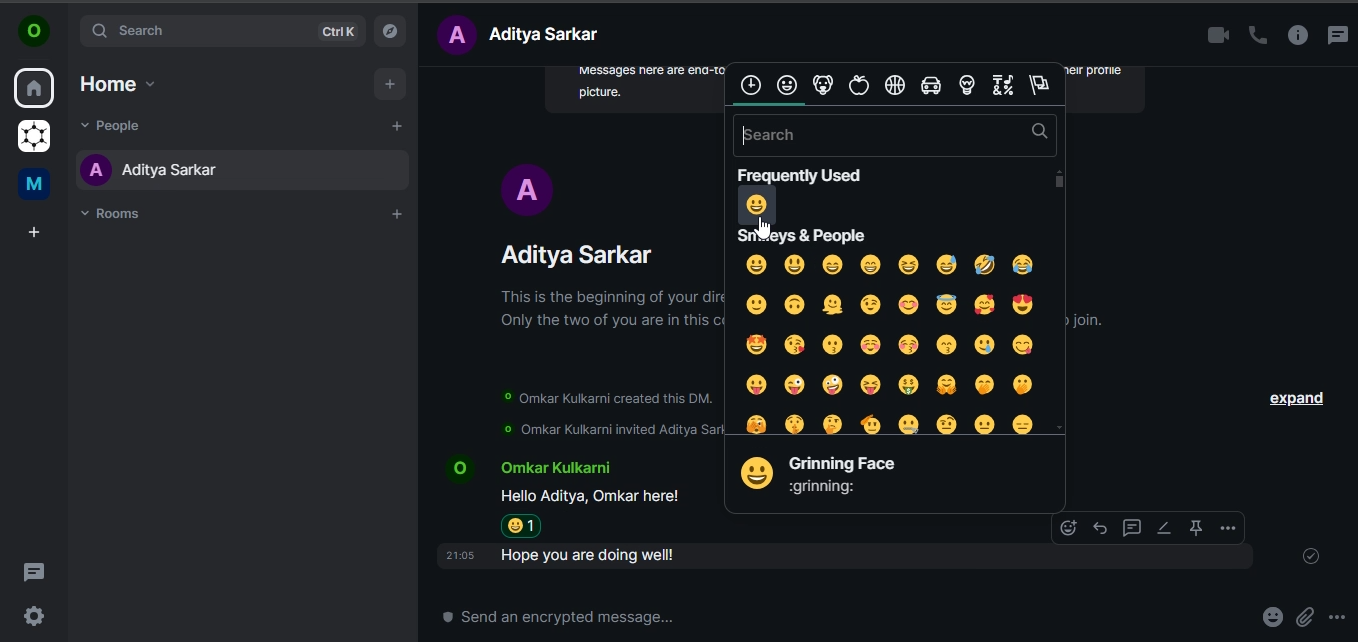 The width and height of the screenshot is (1358, 642). Describe the element at coordinates (983, 345) in the screenshot. I see `smiling face with tear` at that location.